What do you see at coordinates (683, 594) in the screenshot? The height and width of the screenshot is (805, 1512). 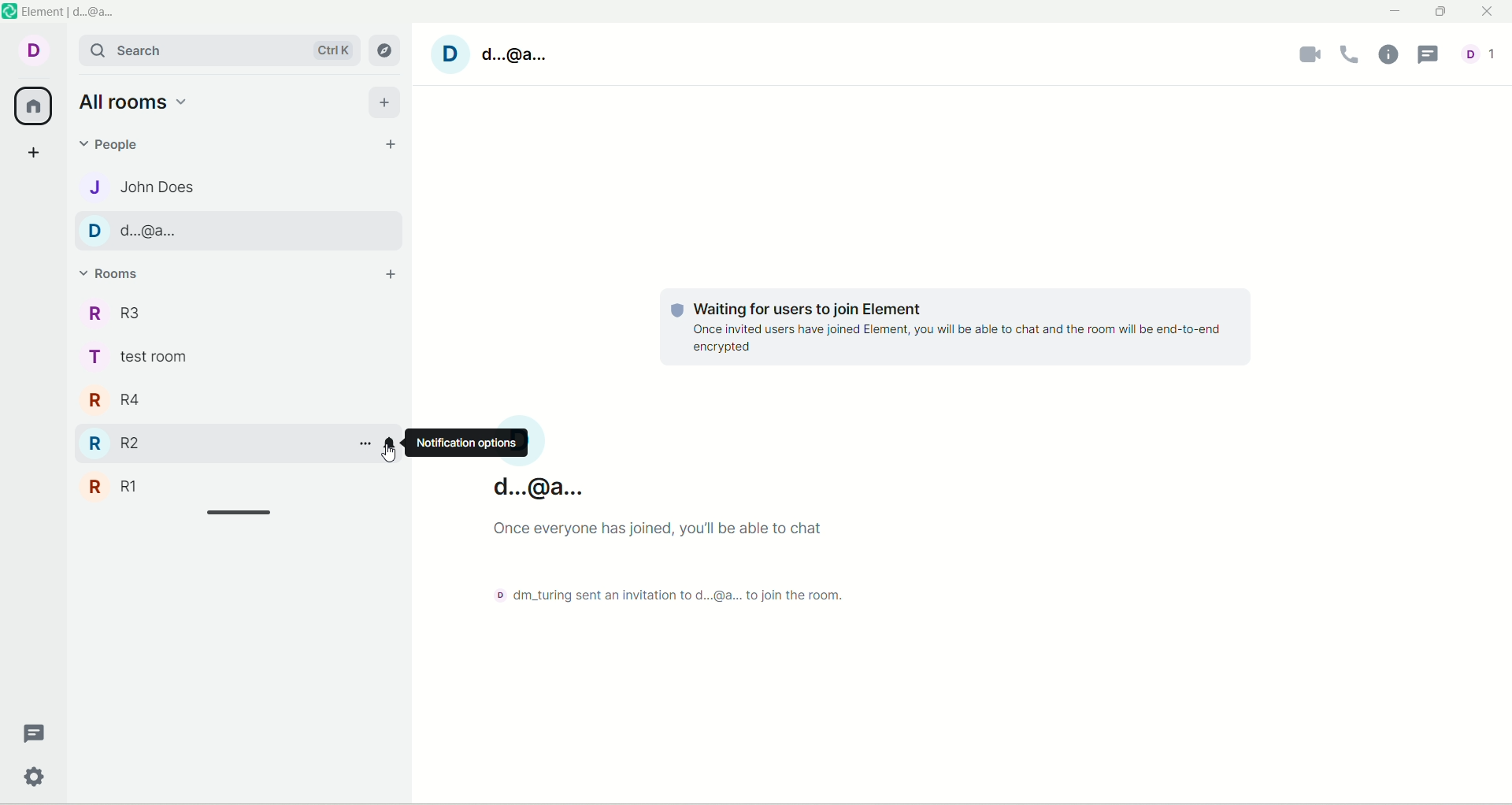 I see `text` at bounding box center [683, 594].